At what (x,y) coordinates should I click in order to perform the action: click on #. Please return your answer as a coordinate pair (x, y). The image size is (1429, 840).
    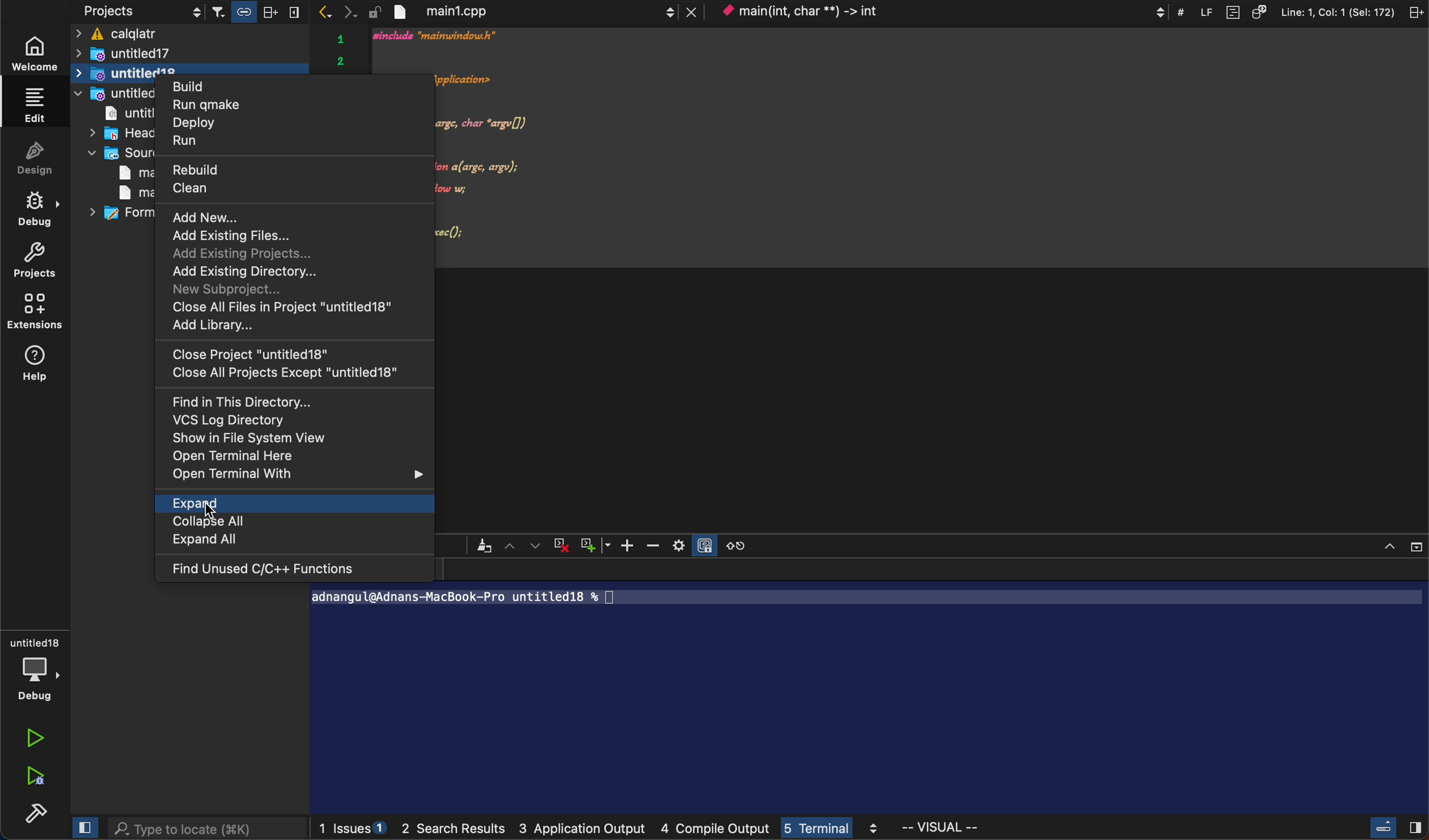
    Looking at the image, I should click on (1182, 11).